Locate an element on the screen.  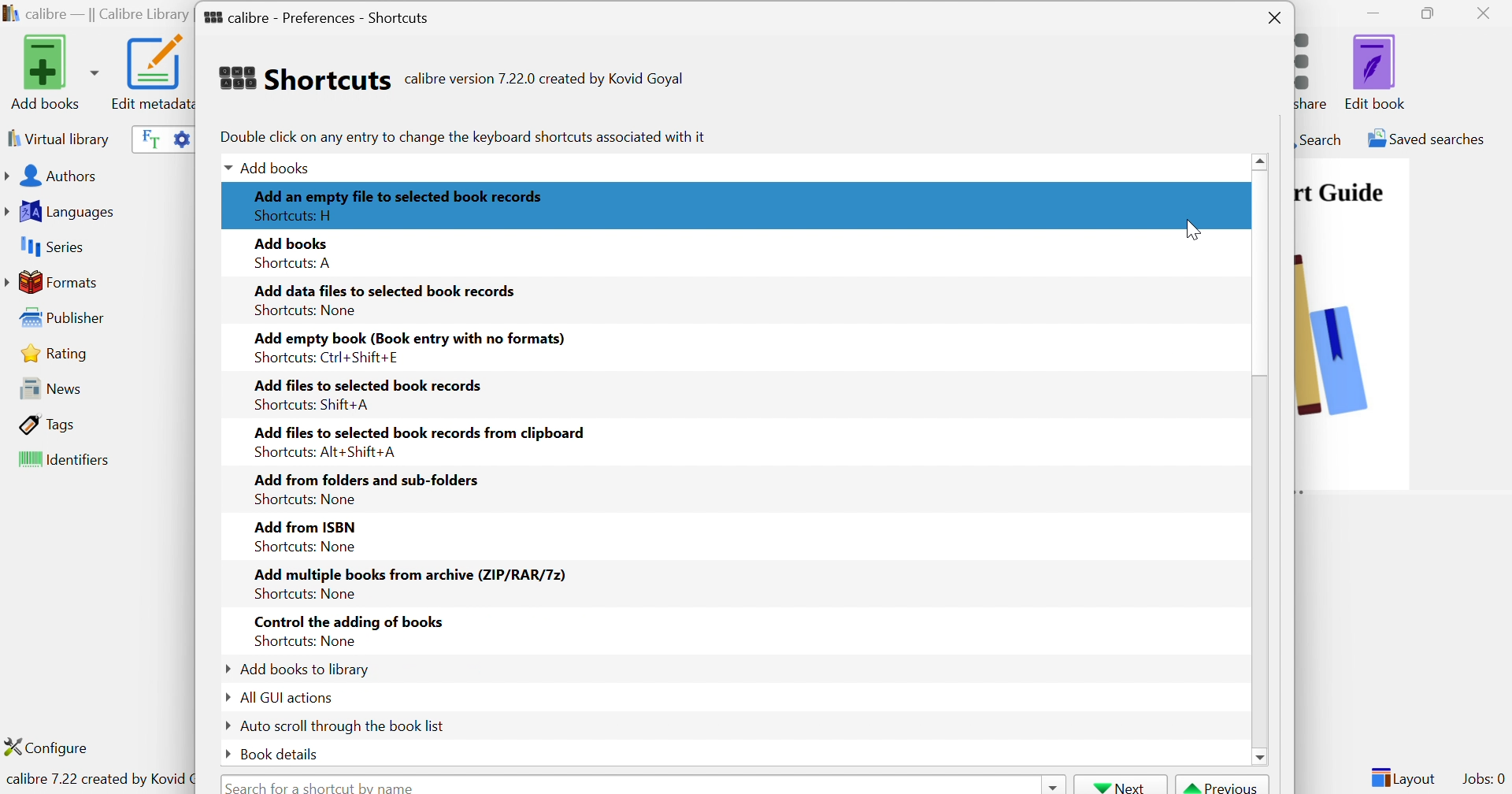
Auto scroll through the book list is located at coordinates (344, 724).